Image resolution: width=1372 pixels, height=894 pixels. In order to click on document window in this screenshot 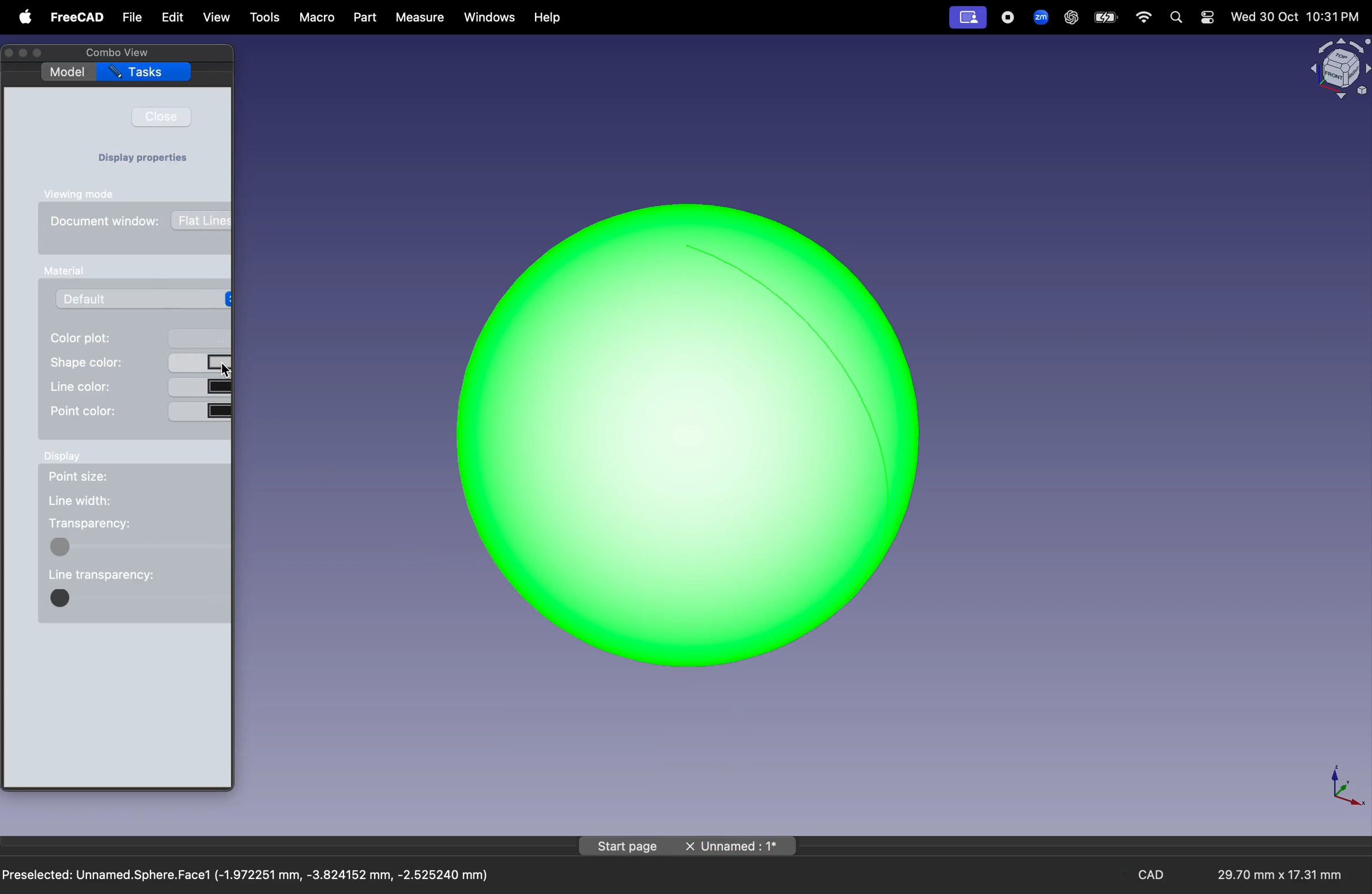, I will do `click(107, 222)`.